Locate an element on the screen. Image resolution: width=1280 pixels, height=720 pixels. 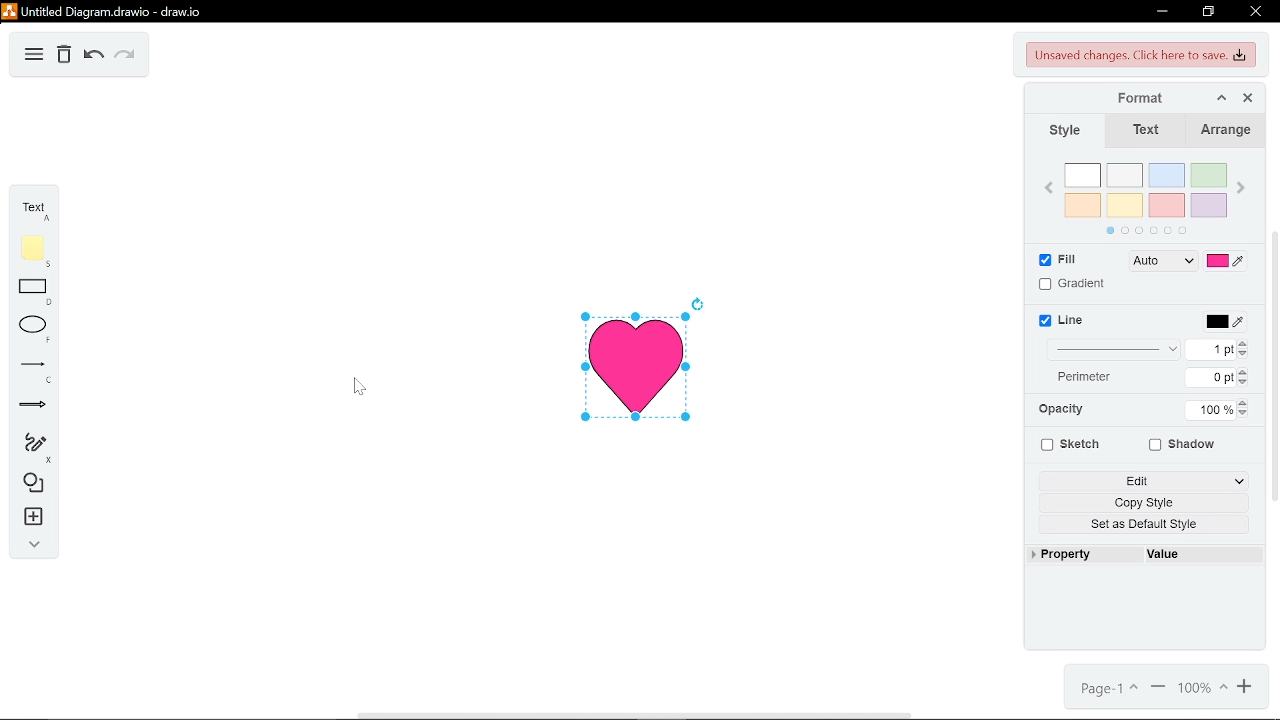
line style is located at coordinates (1113, 349).